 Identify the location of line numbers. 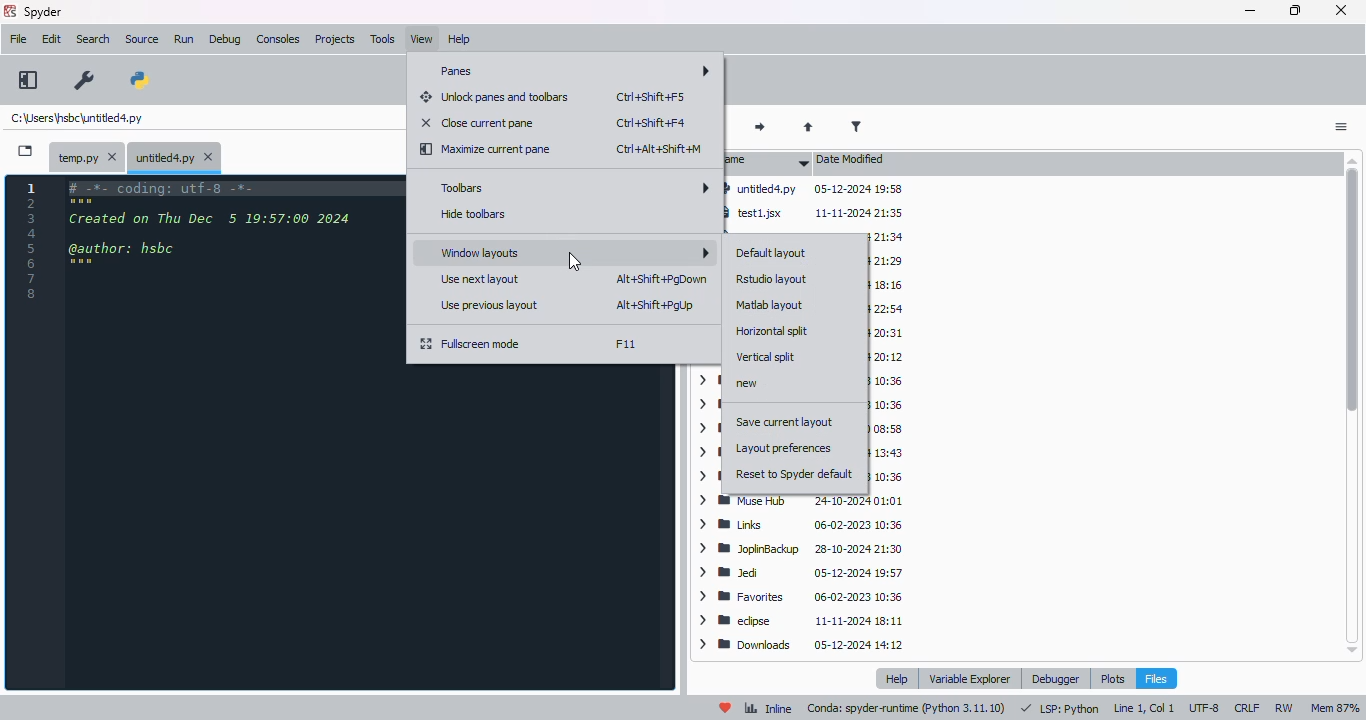
(32, 240).